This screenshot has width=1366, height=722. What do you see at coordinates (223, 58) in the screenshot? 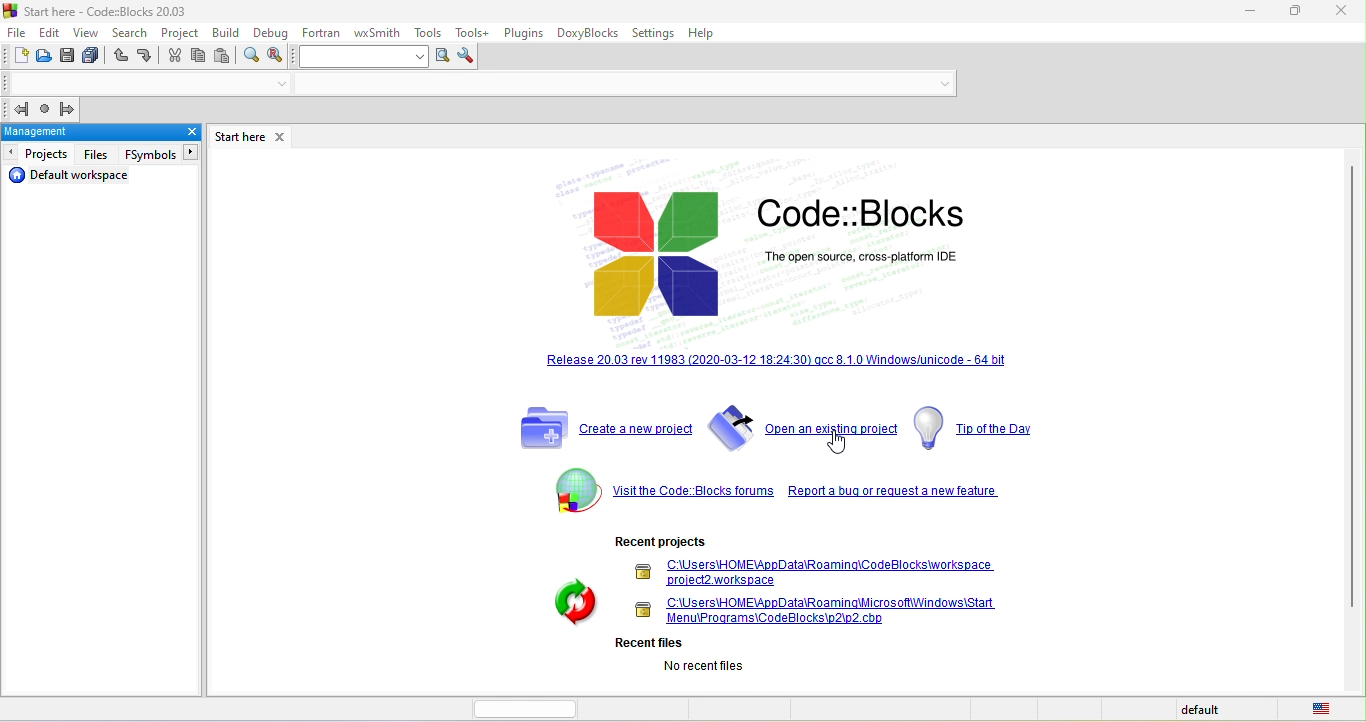
I see `paste` at bounding box center [223, 58].